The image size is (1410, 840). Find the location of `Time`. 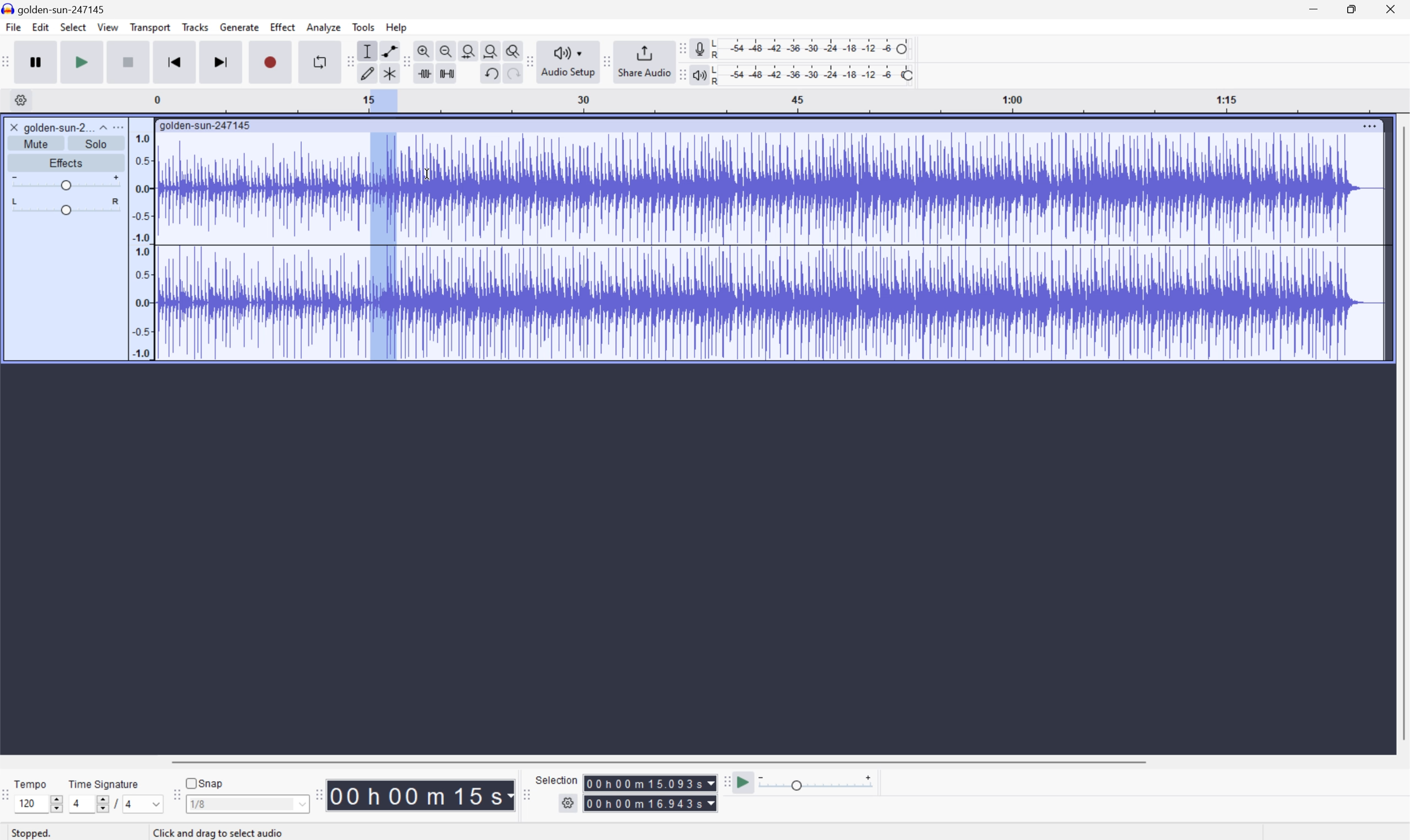

Time is located at coordinates (421, 794).